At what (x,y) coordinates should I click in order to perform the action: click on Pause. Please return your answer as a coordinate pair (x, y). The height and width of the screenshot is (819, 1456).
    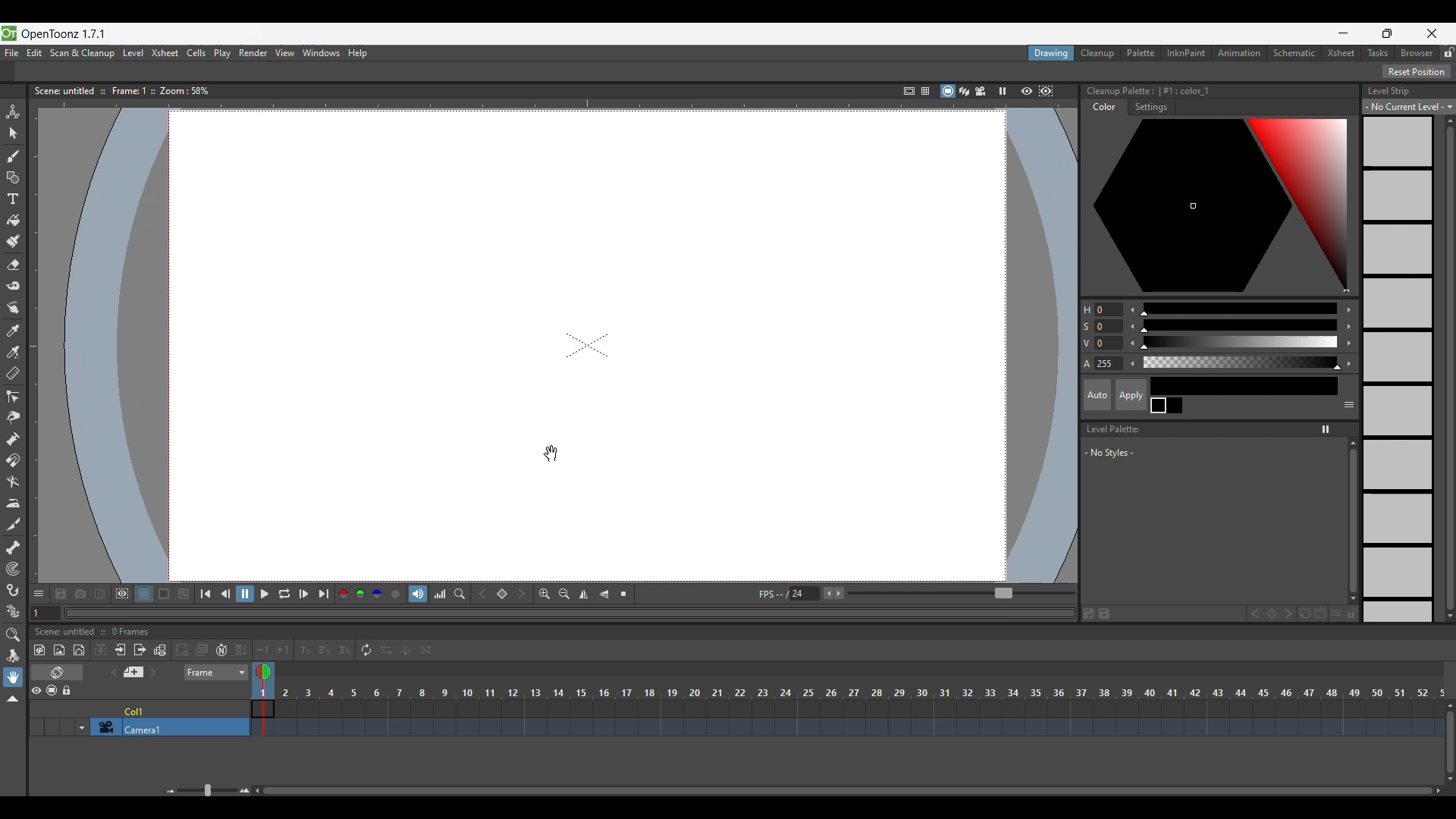
    Looking at the image, I should click on (245, 594).